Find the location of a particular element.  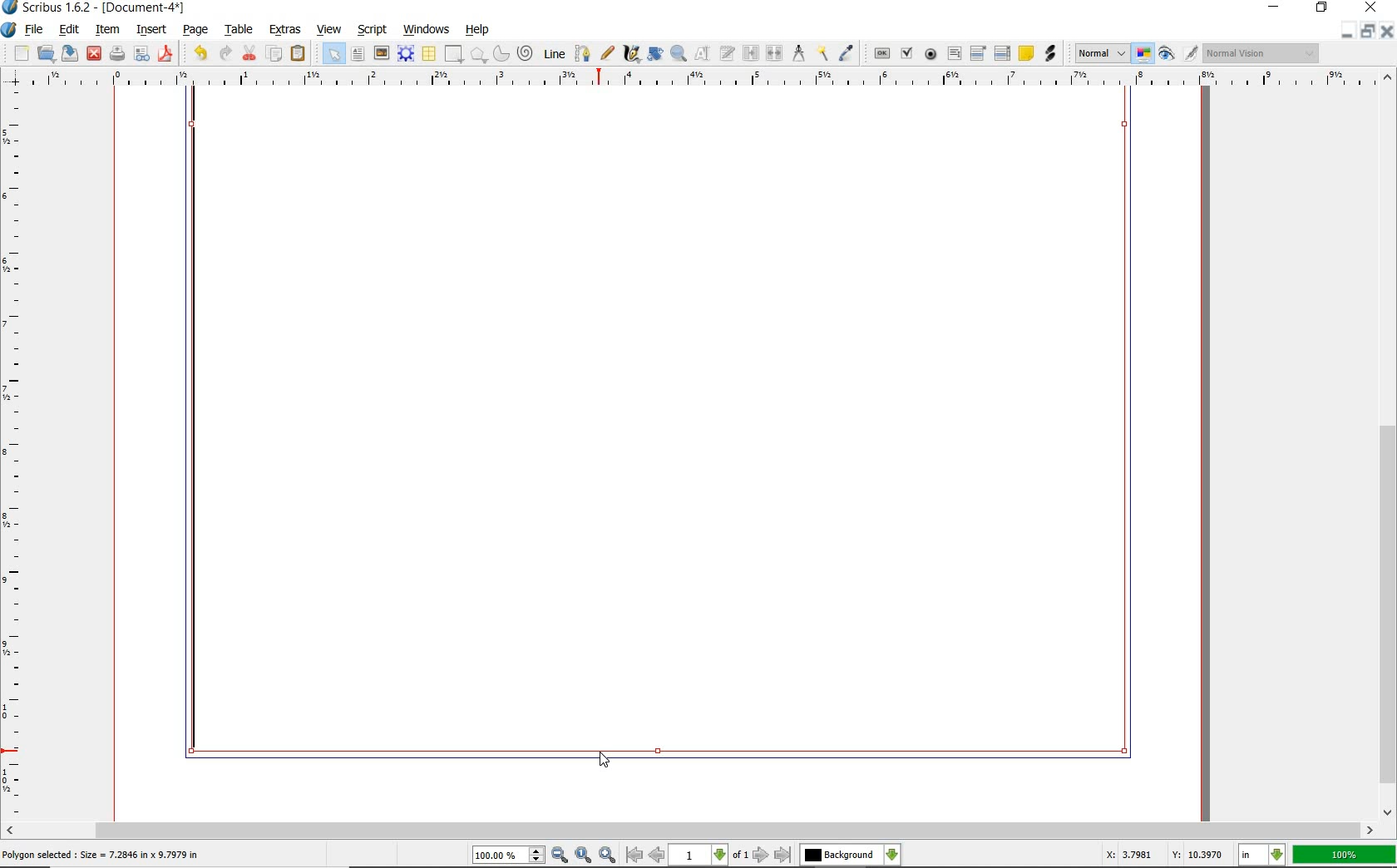

toggle color management is located at coordinates (1144, 55).